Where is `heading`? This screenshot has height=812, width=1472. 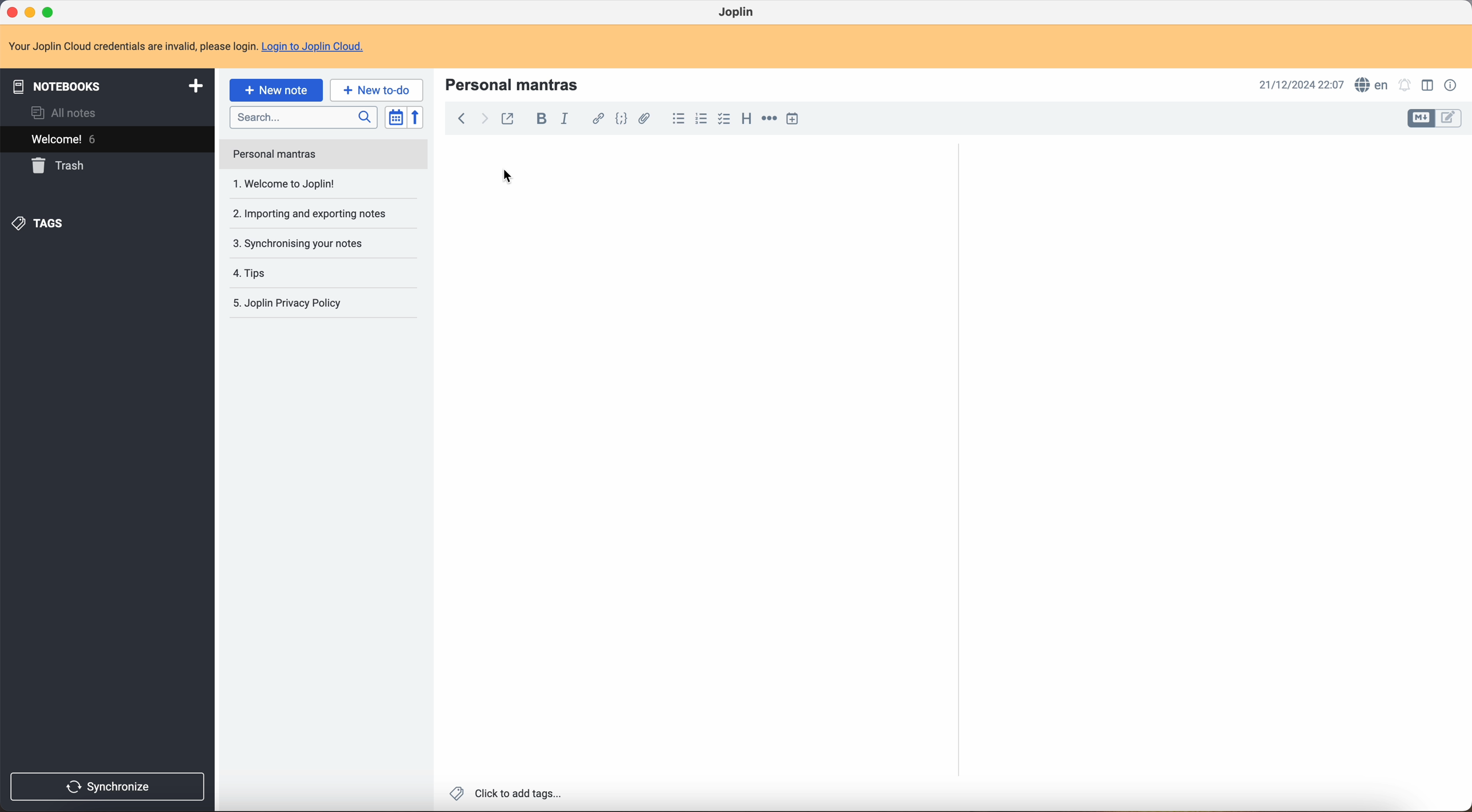
heading is located at coordinates (746, 121).